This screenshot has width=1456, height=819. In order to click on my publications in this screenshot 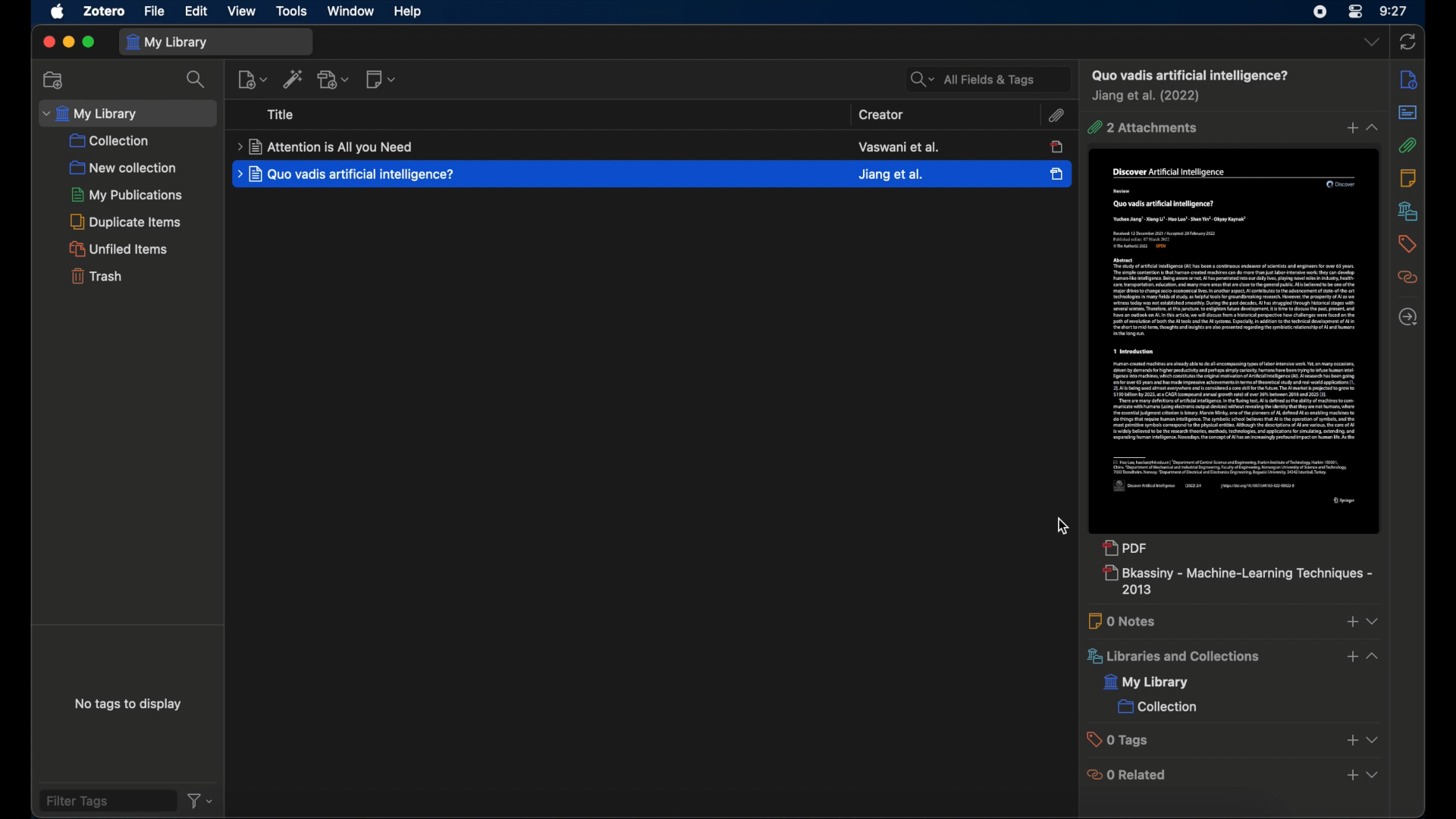, I will do `click(125, 194)`.